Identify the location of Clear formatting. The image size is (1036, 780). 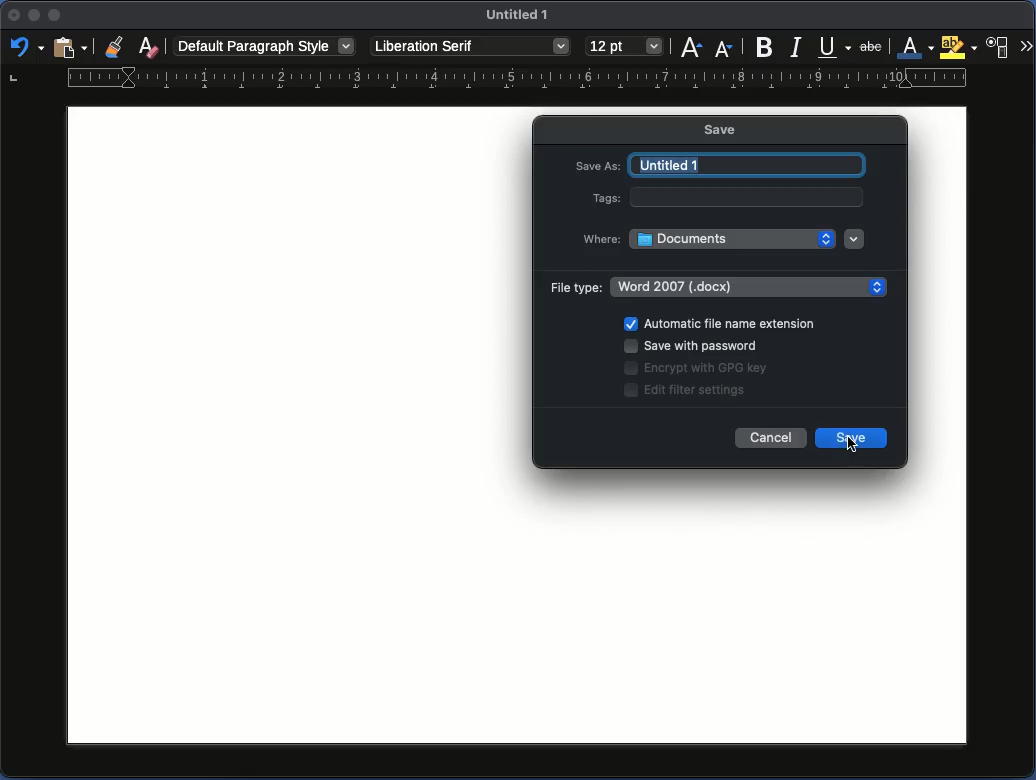
(148, 45).